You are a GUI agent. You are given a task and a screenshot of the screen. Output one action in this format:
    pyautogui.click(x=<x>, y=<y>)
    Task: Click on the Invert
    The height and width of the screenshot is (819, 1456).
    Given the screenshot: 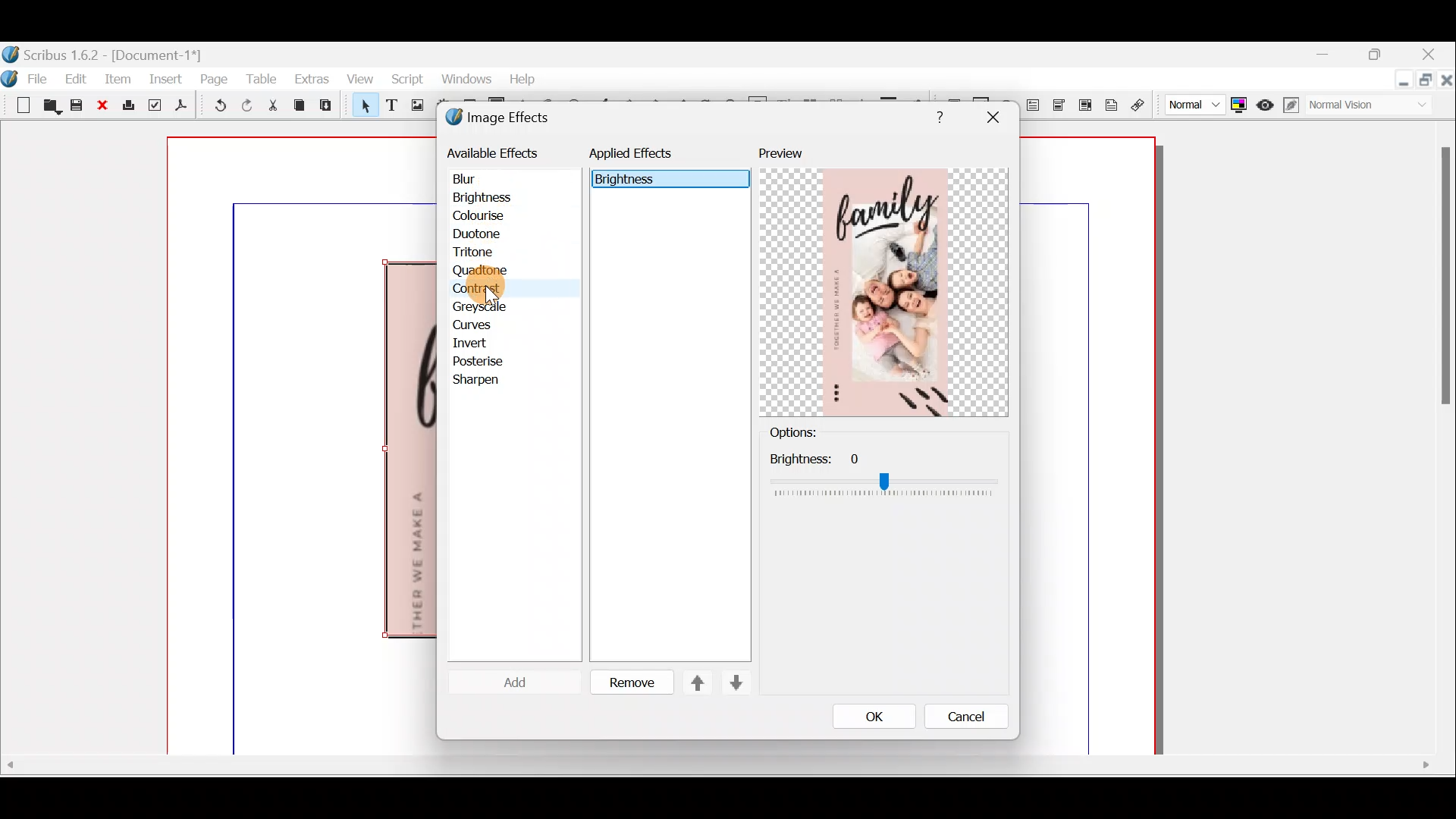 What is the action you would take?
    pyautogui.click(x=484, y=344)
    